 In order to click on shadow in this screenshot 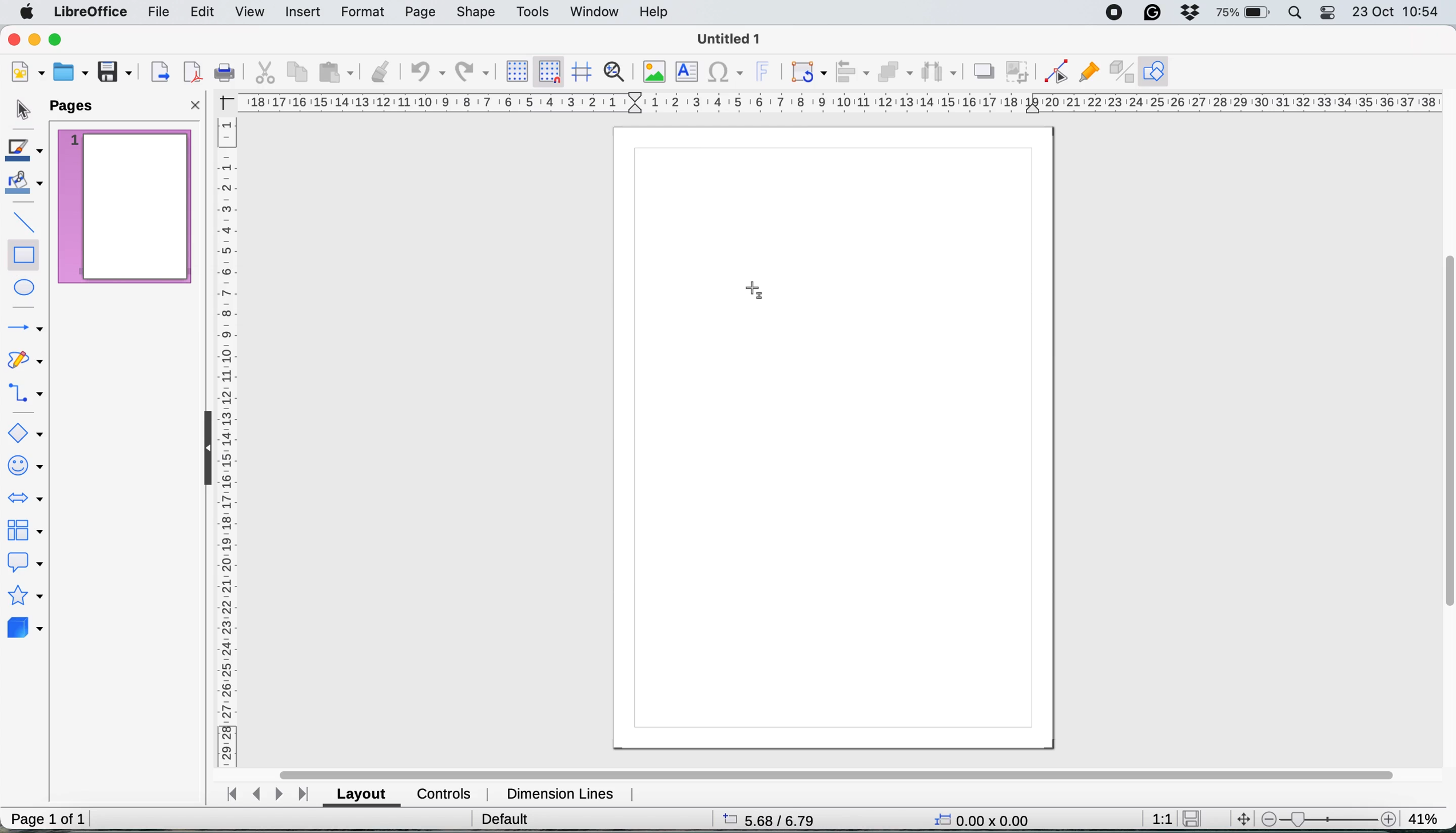, I will do `click(984, 71)`.